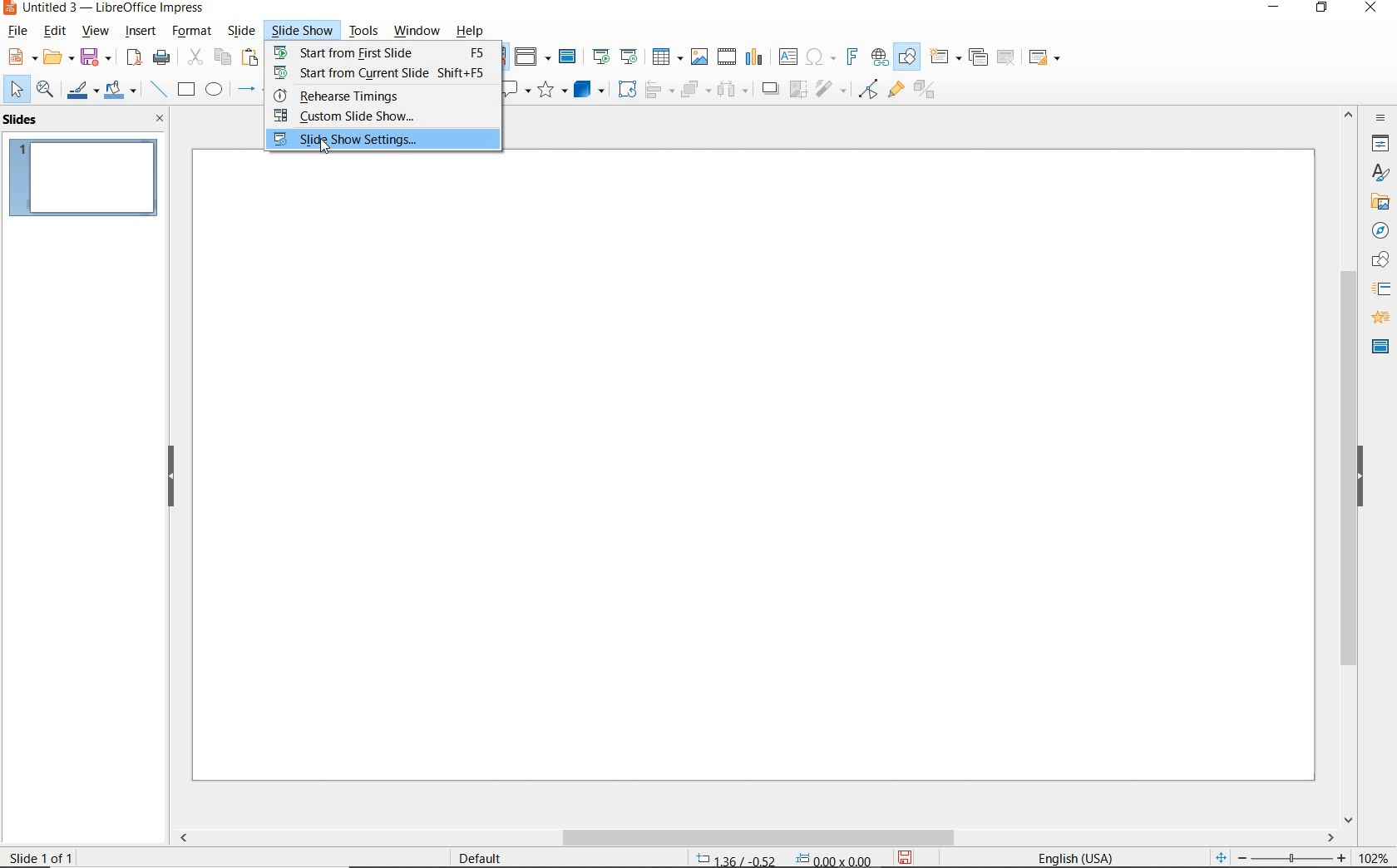 This screenshot has height=868, width=1397. I want to click on PASTE, so click(248, 57).